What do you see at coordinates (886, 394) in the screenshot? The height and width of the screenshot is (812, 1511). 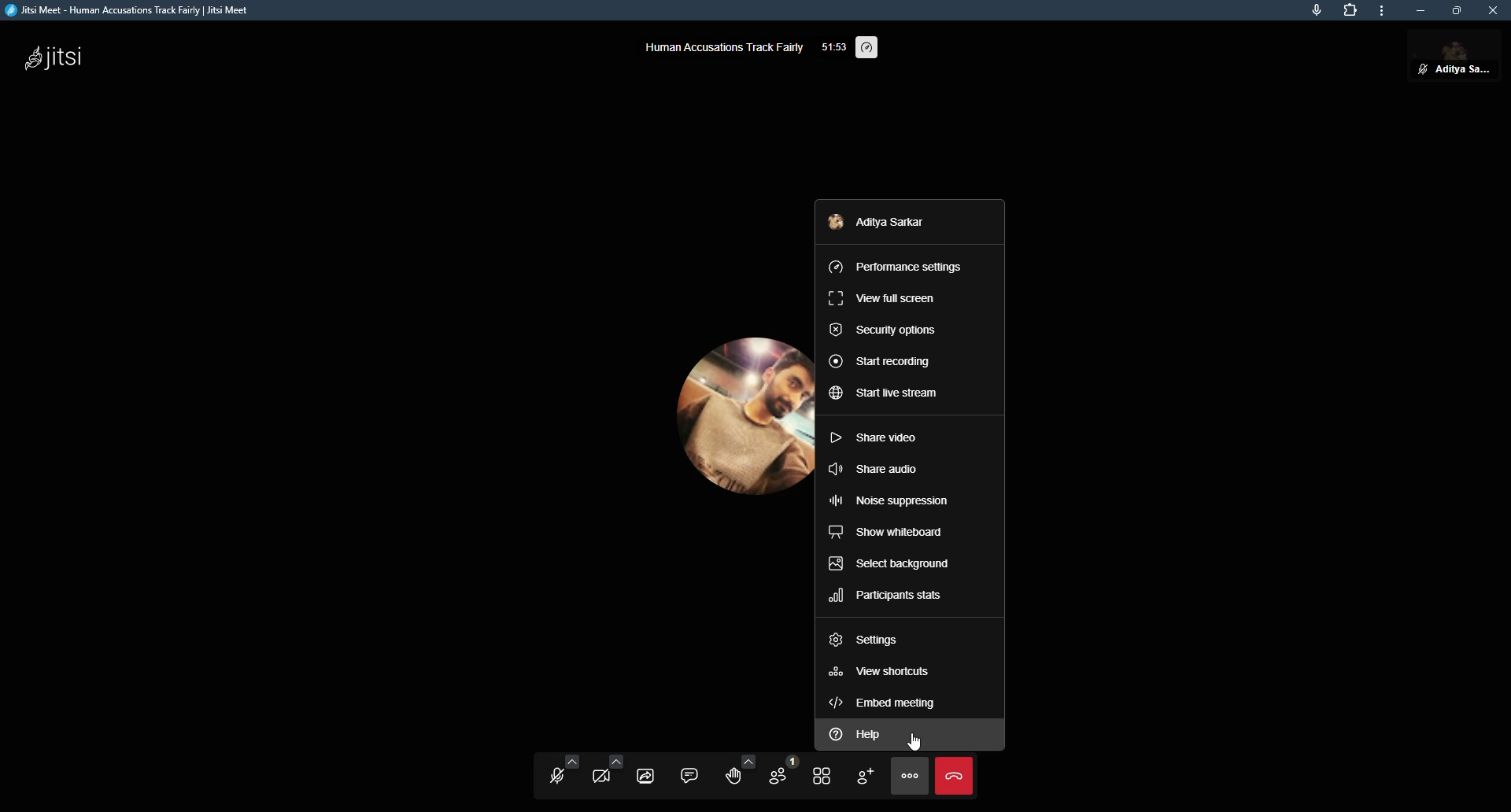 I see `start live stream` at bounding box center [886, 394].